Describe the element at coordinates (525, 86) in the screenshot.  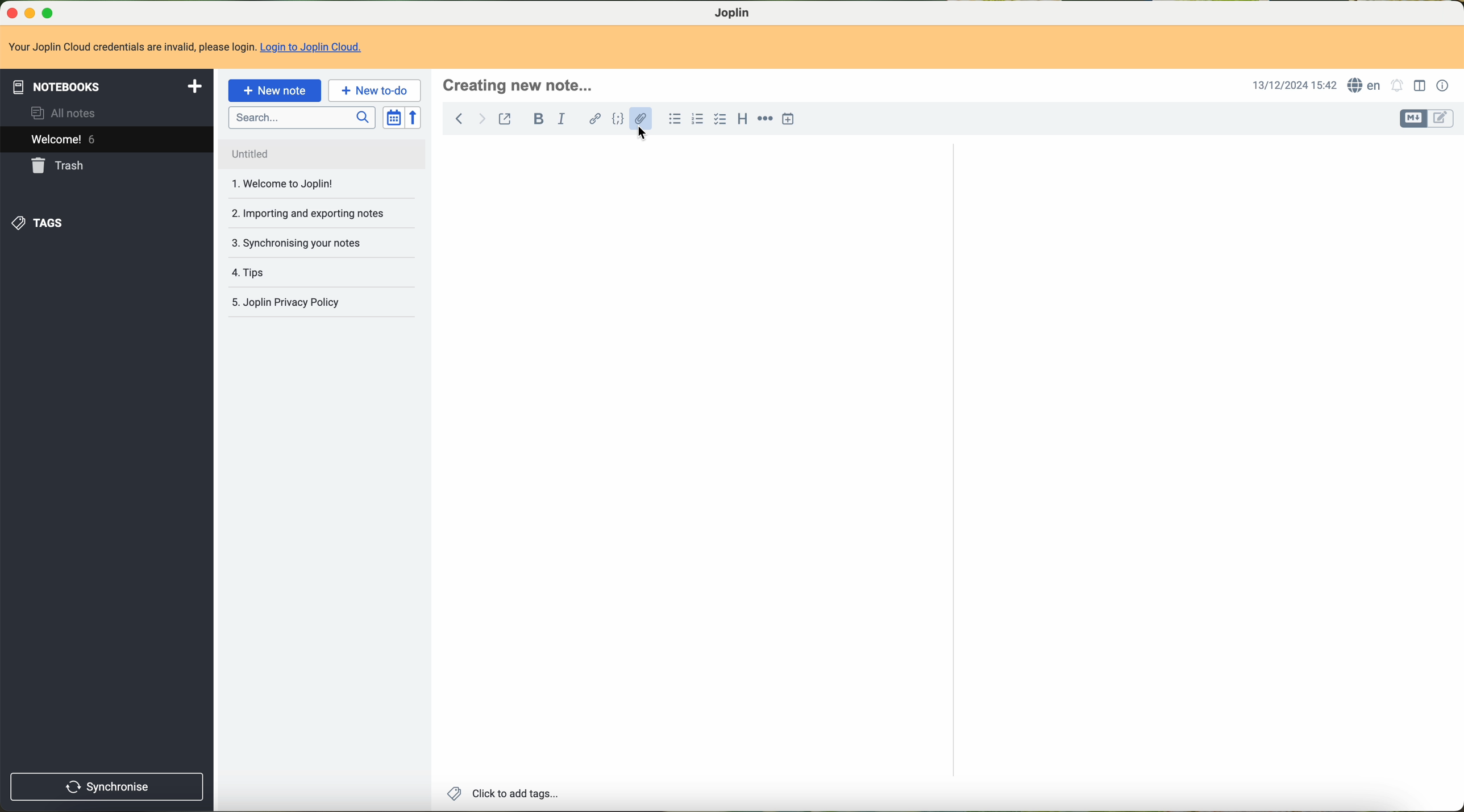
I see `creating new note` at that location.